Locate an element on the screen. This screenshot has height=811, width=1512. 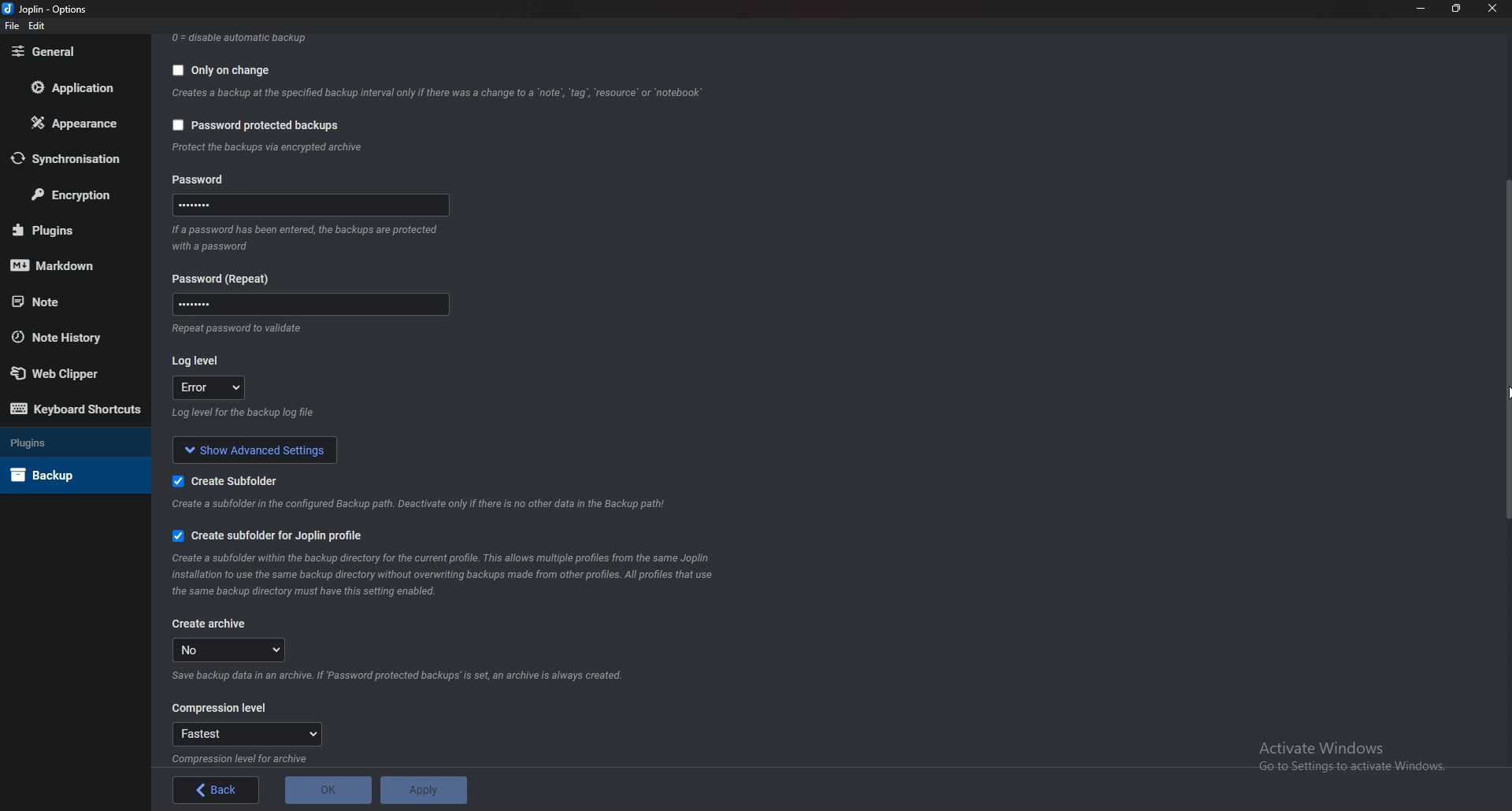
o K is located at coordinates (329, 791).